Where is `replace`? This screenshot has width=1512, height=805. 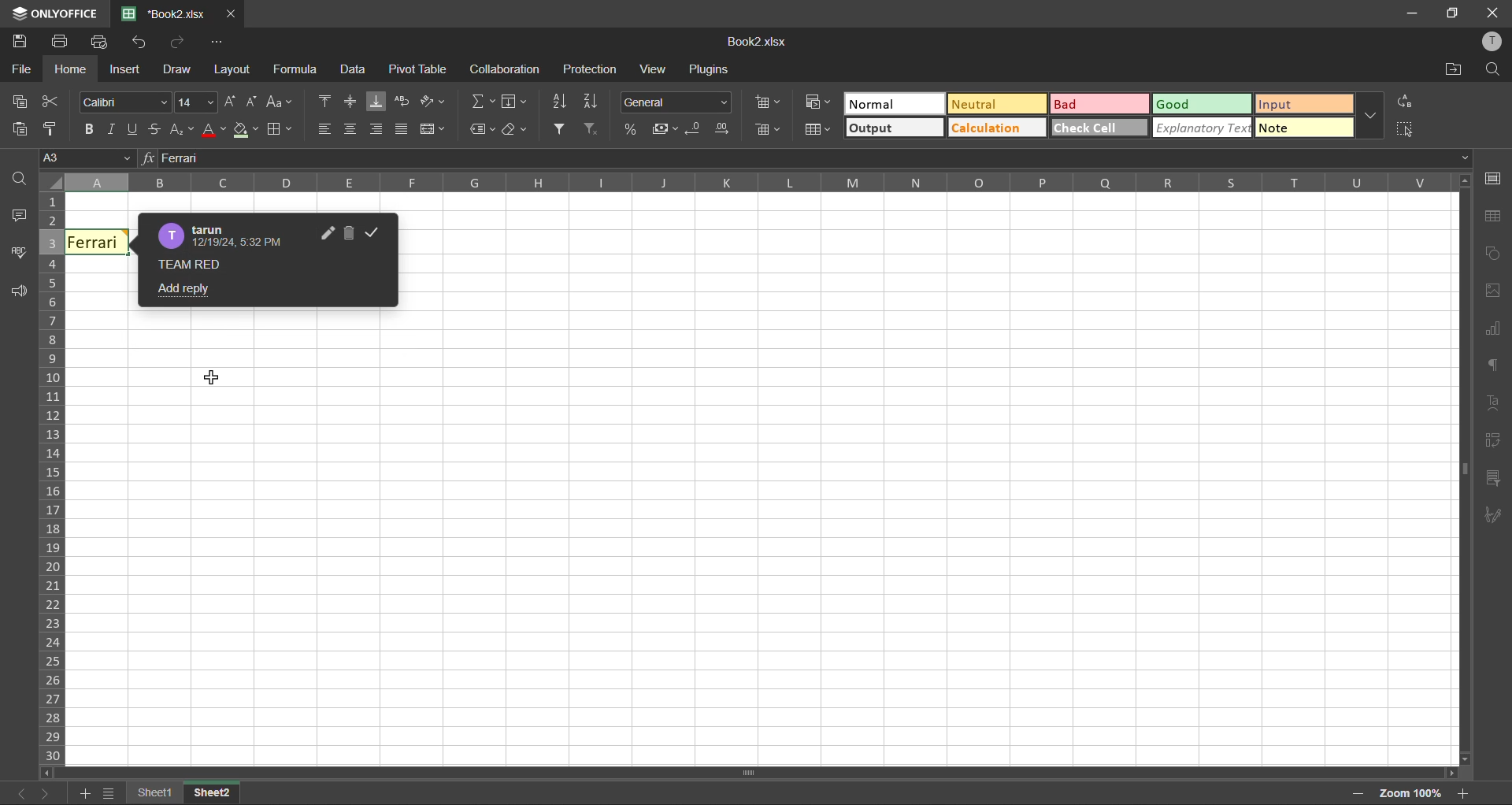 replace is located at coordinates (1406, 104).